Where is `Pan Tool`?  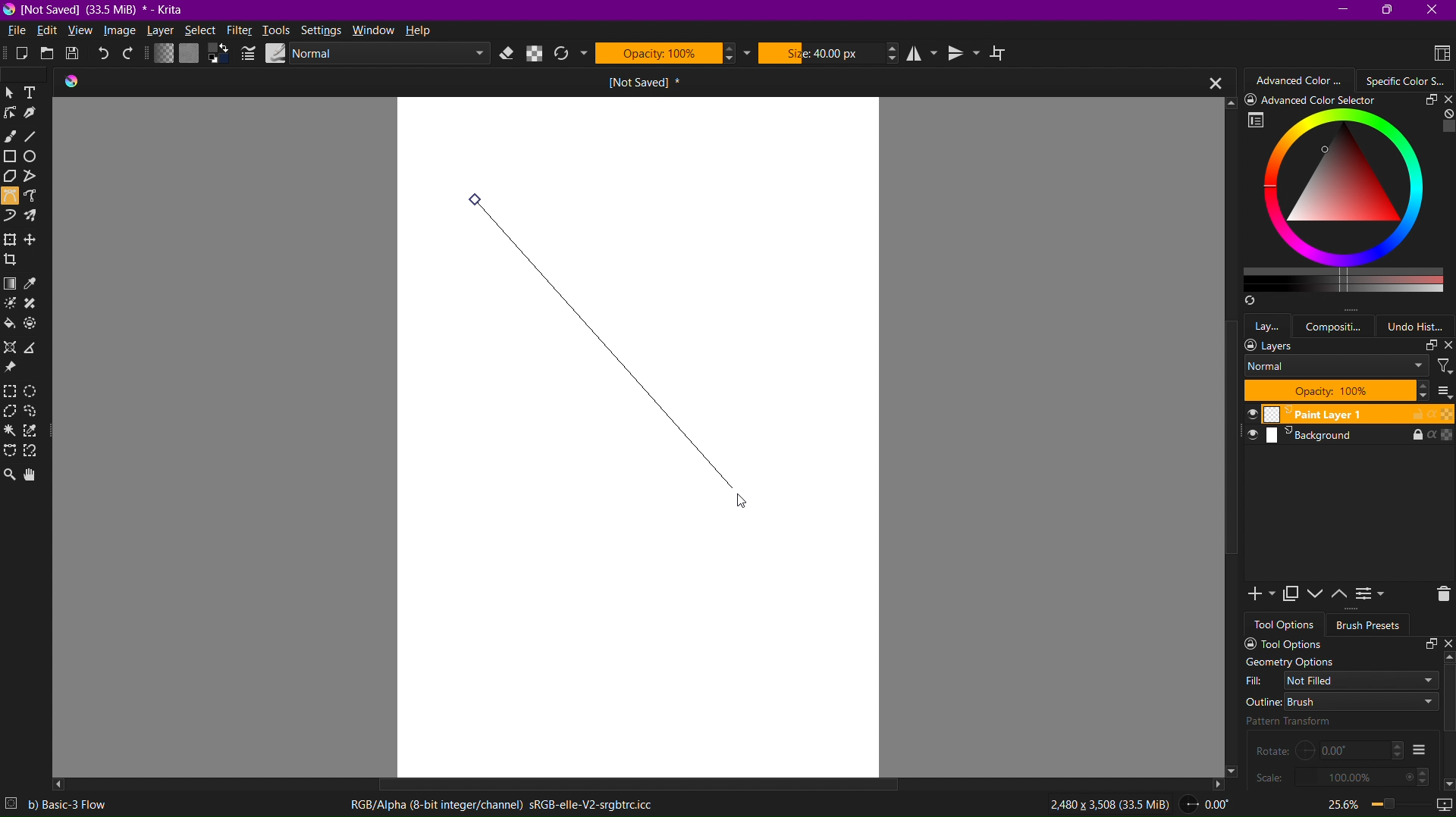
Pan Tool is located at coordinates (35, 474).